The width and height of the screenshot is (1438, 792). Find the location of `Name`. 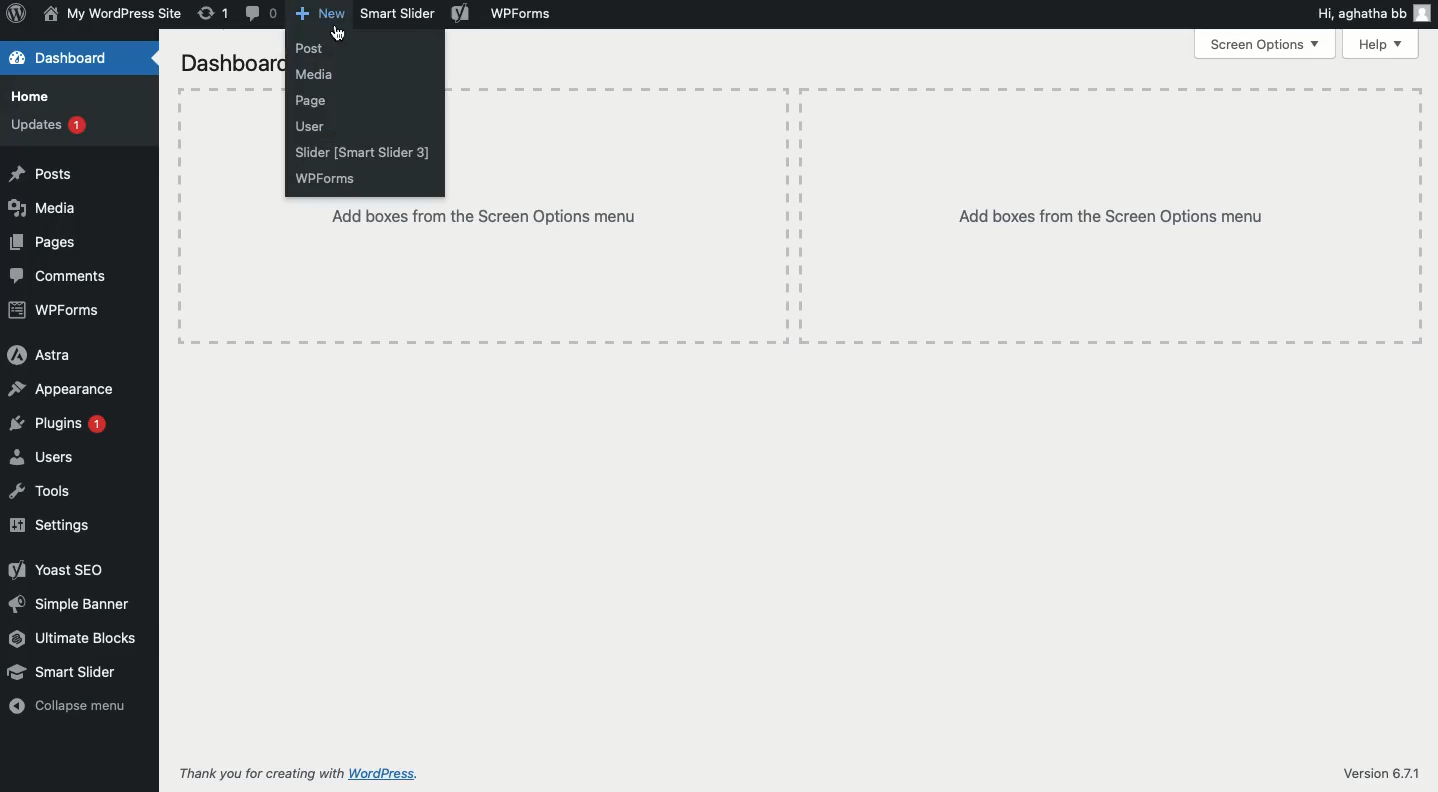

Name is located at coordinates (113, 14).